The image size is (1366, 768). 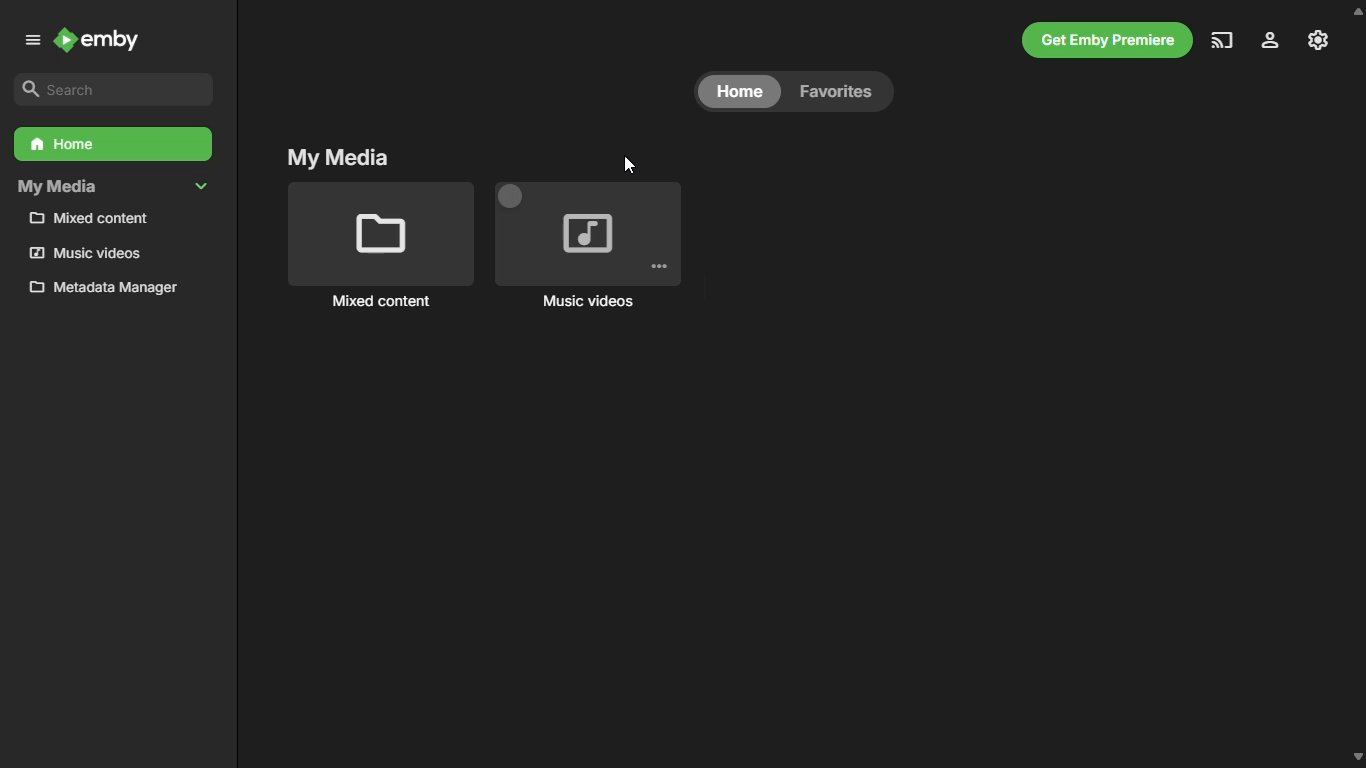 I want to click on get emby premiere, so click(x=1107, y=41).